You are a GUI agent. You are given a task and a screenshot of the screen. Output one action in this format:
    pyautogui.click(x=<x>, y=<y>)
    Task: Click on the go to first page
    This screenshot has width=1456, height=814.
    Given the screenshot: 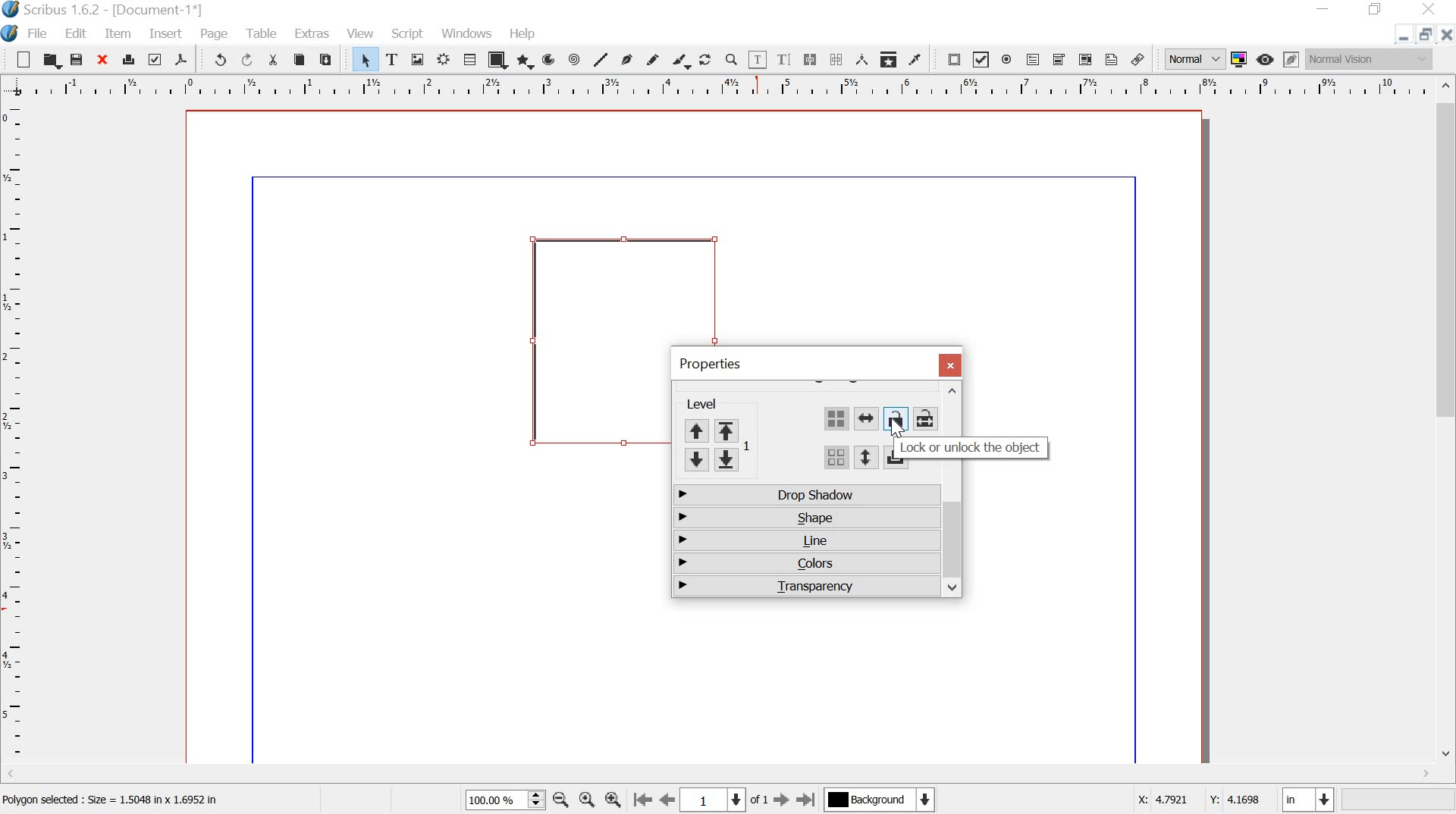 What is the action you would take?
    pyautogui.click(x=642, y=800)
    